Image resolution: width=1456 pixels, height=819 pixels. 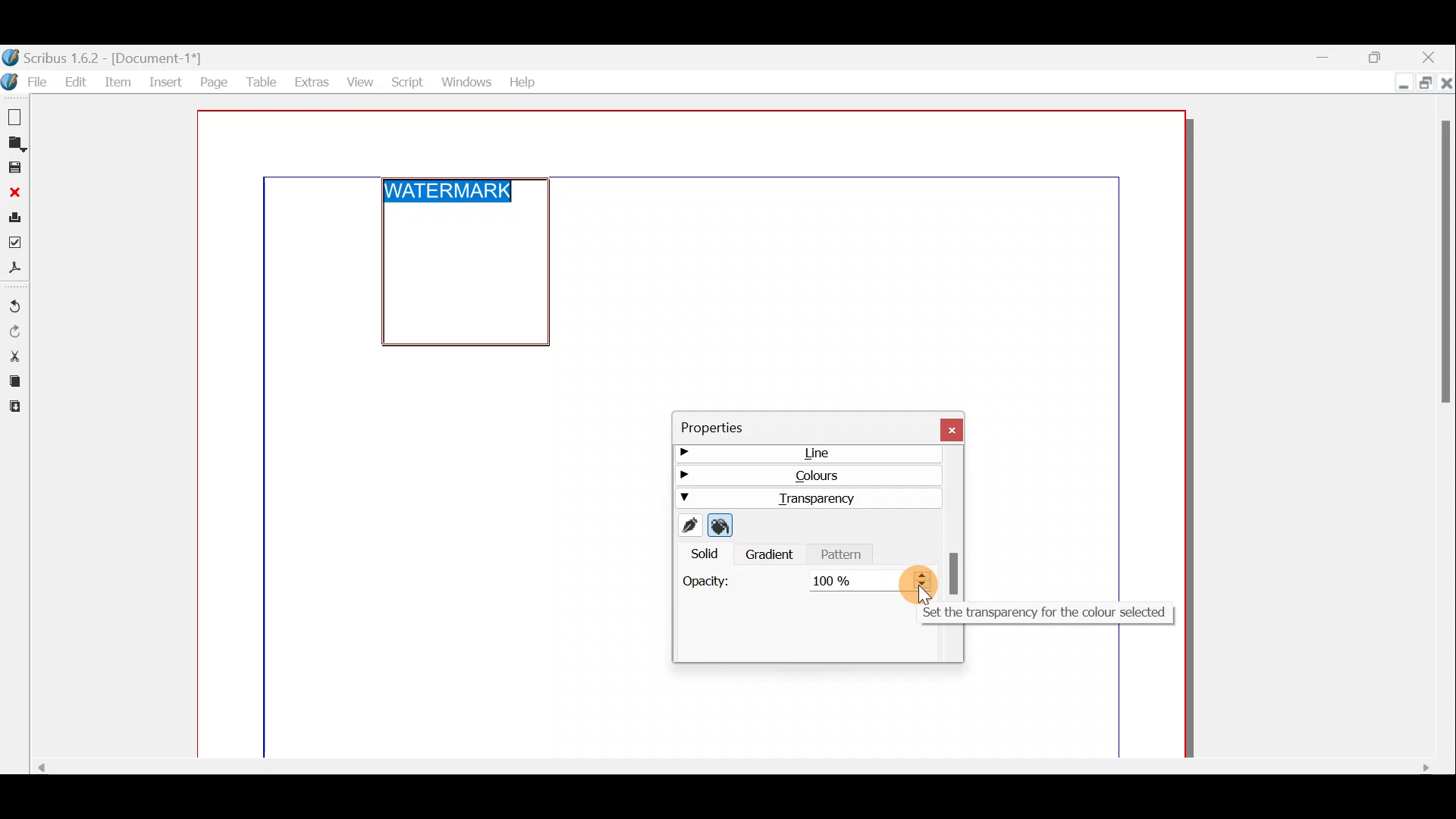 I want to click on Page, so click(x=212, y=81).